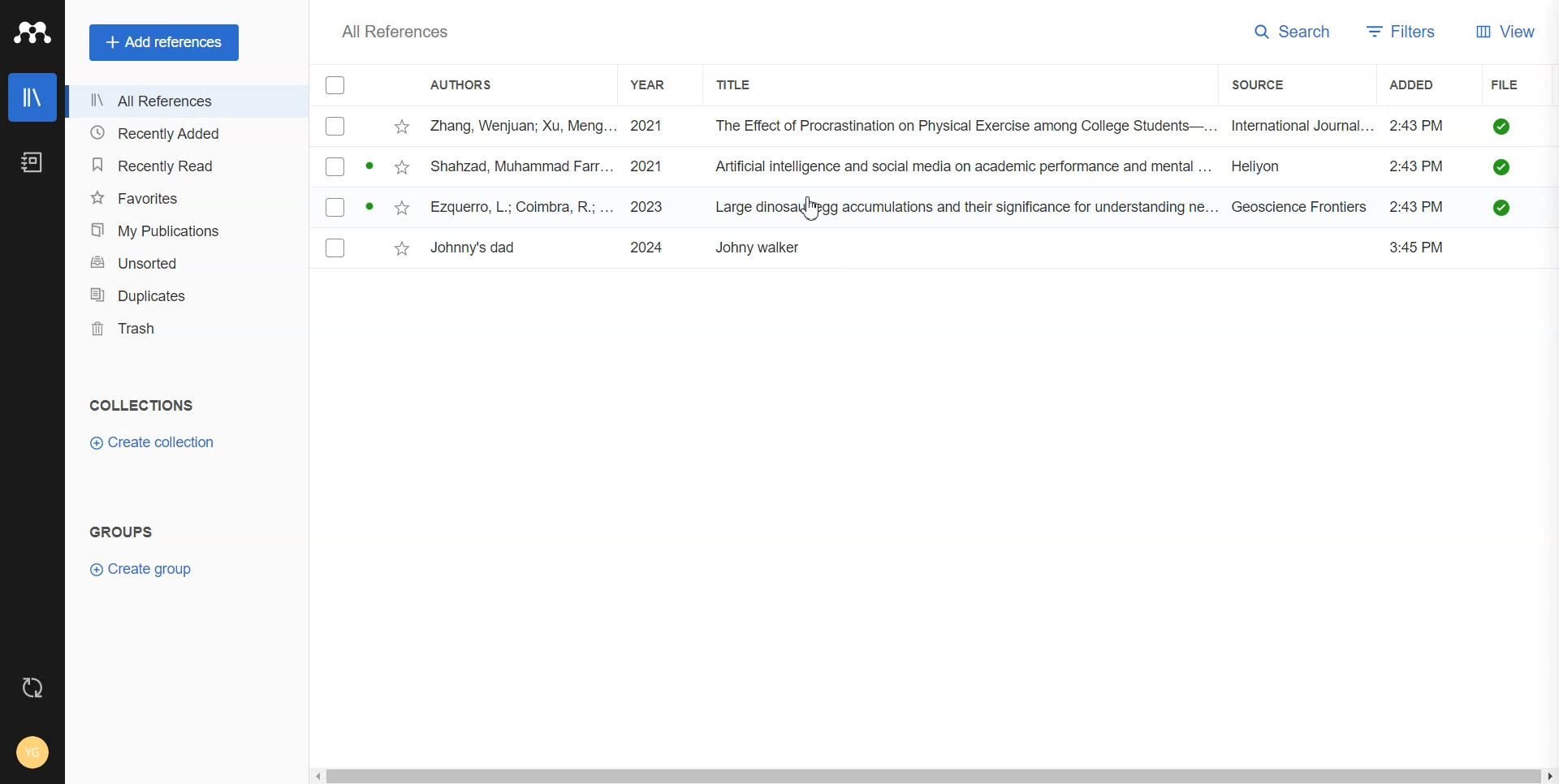 The height and width of the screenshot is (784, 1559). I want to click on 2024, so click(645, 247).